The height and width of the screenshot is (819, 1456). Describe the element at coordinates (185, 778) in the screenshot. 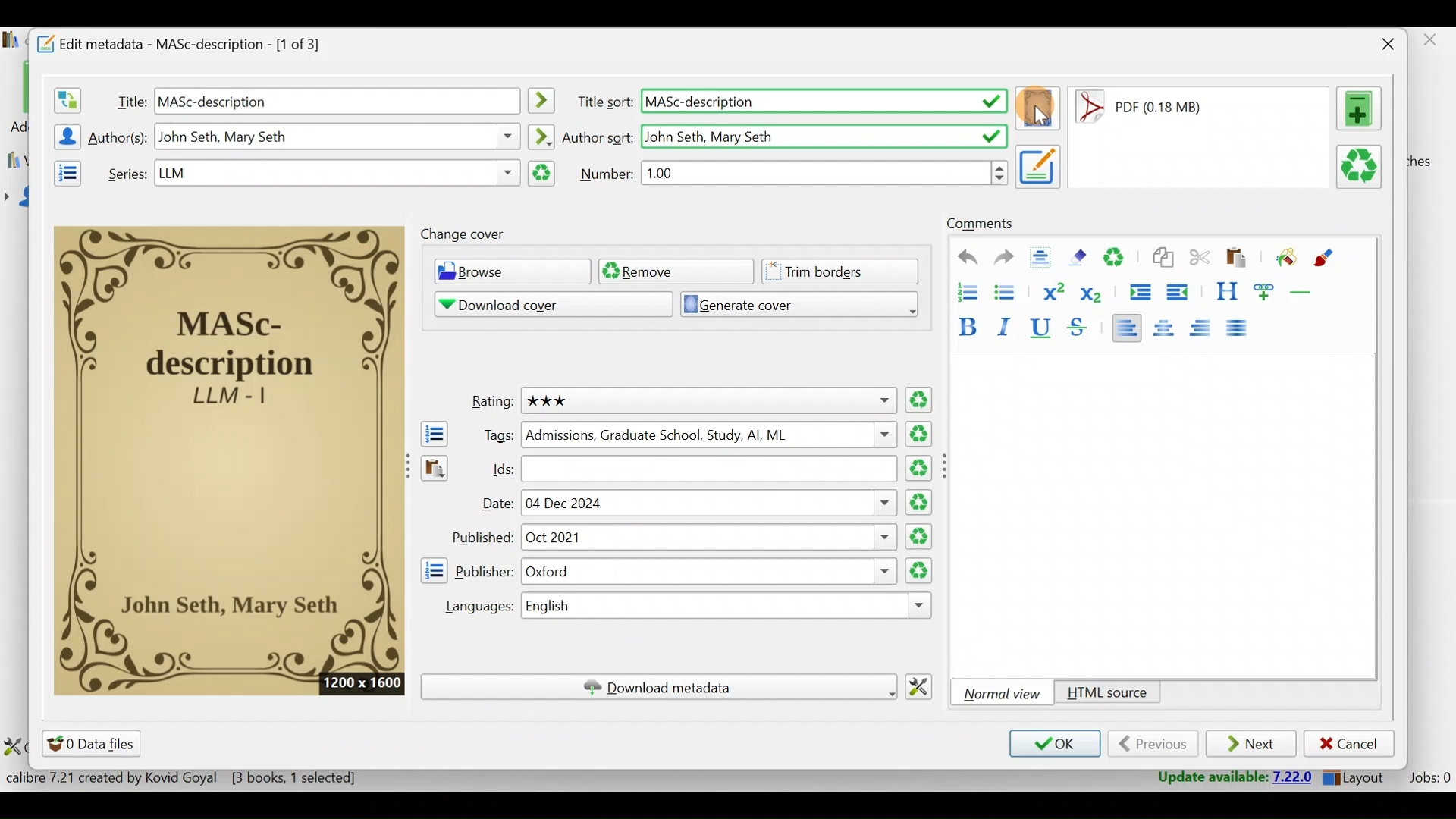

I see `Books count` at that location.